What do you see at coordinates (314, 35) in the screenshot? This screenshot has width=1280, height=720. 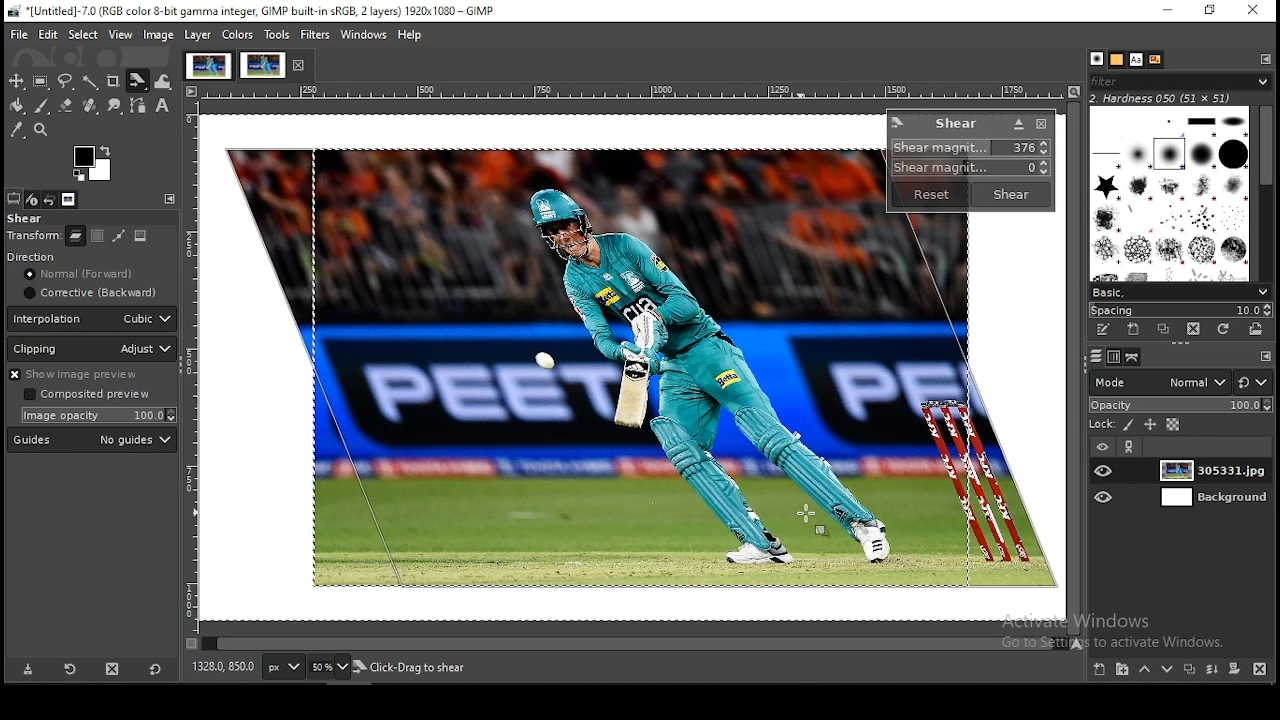 I see `filters` at bounding box center [314, 35].